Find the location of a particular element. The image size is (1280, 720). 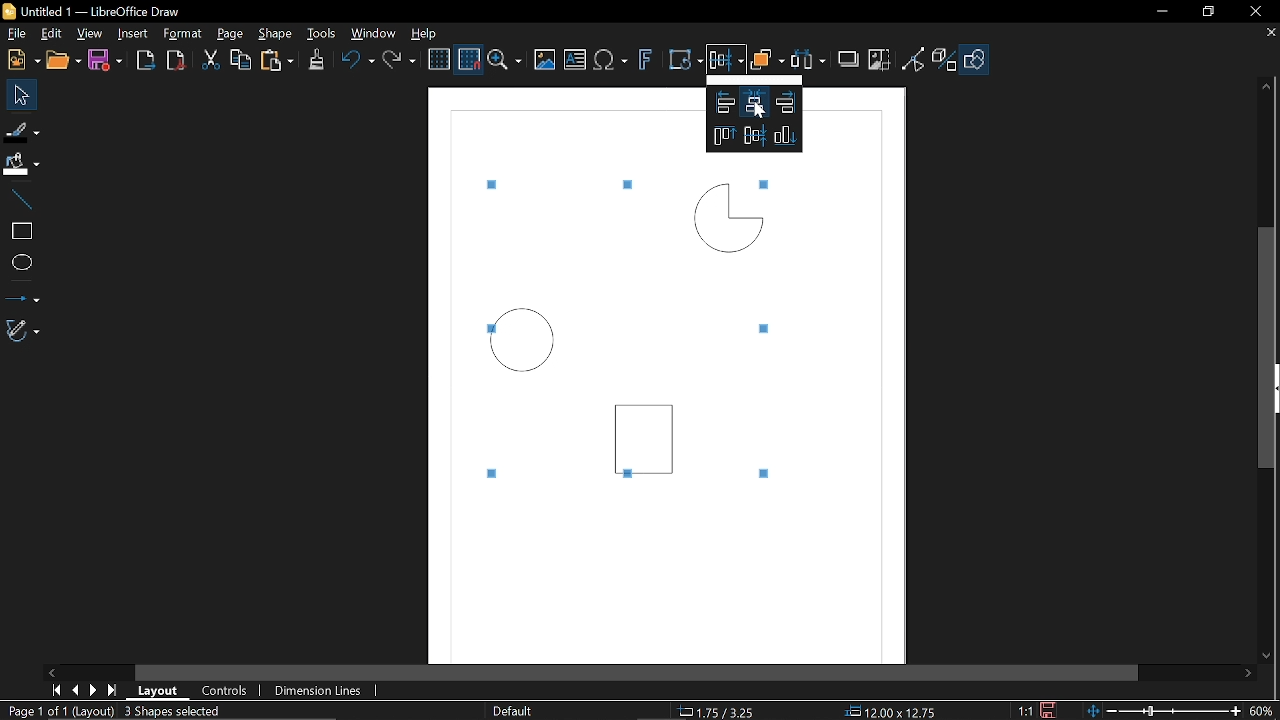

Align is located at coordinates (726, 63).